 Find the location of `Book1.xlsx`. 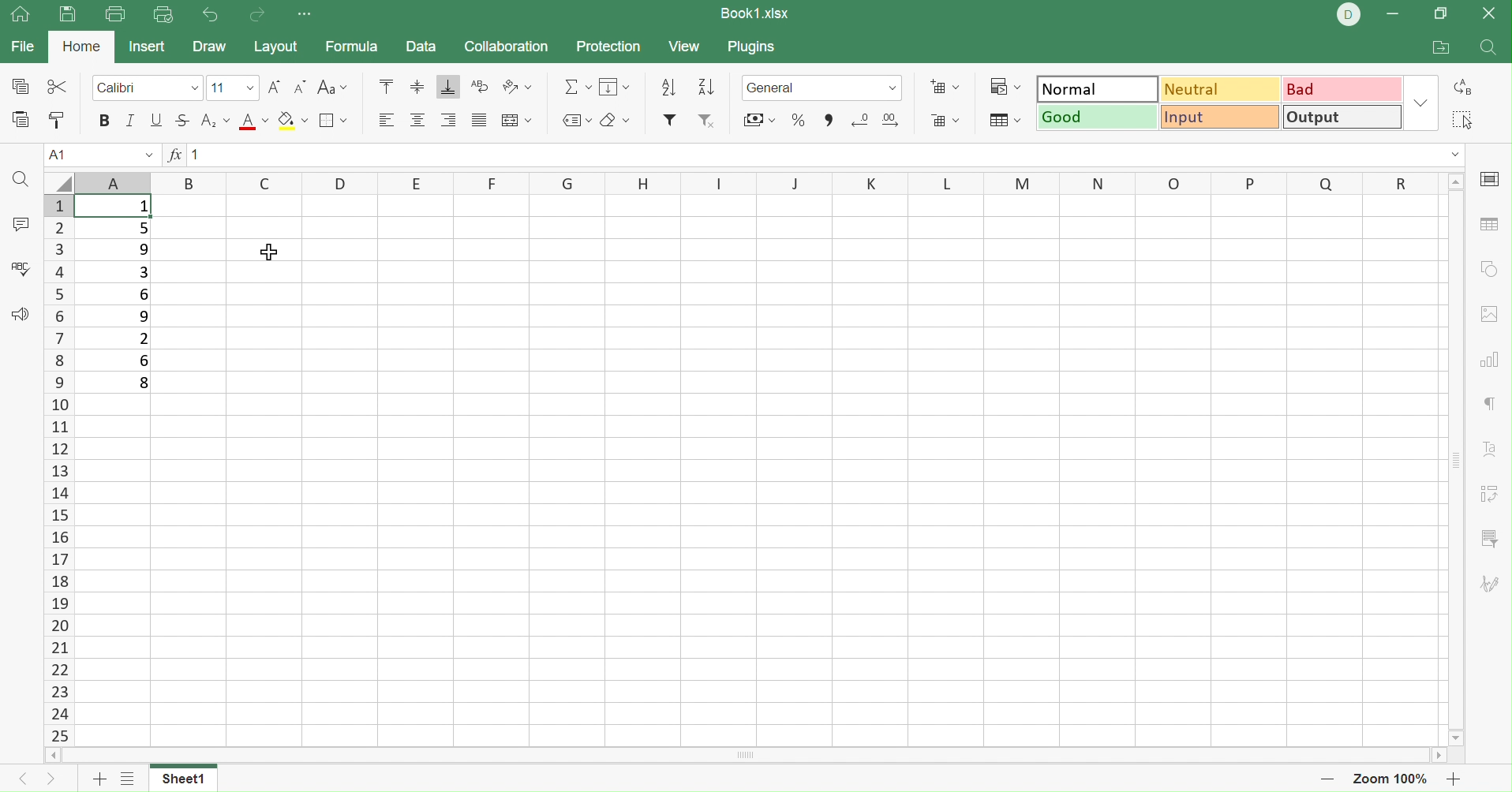

Book1.xlsx is located at coordinates (754, 13).